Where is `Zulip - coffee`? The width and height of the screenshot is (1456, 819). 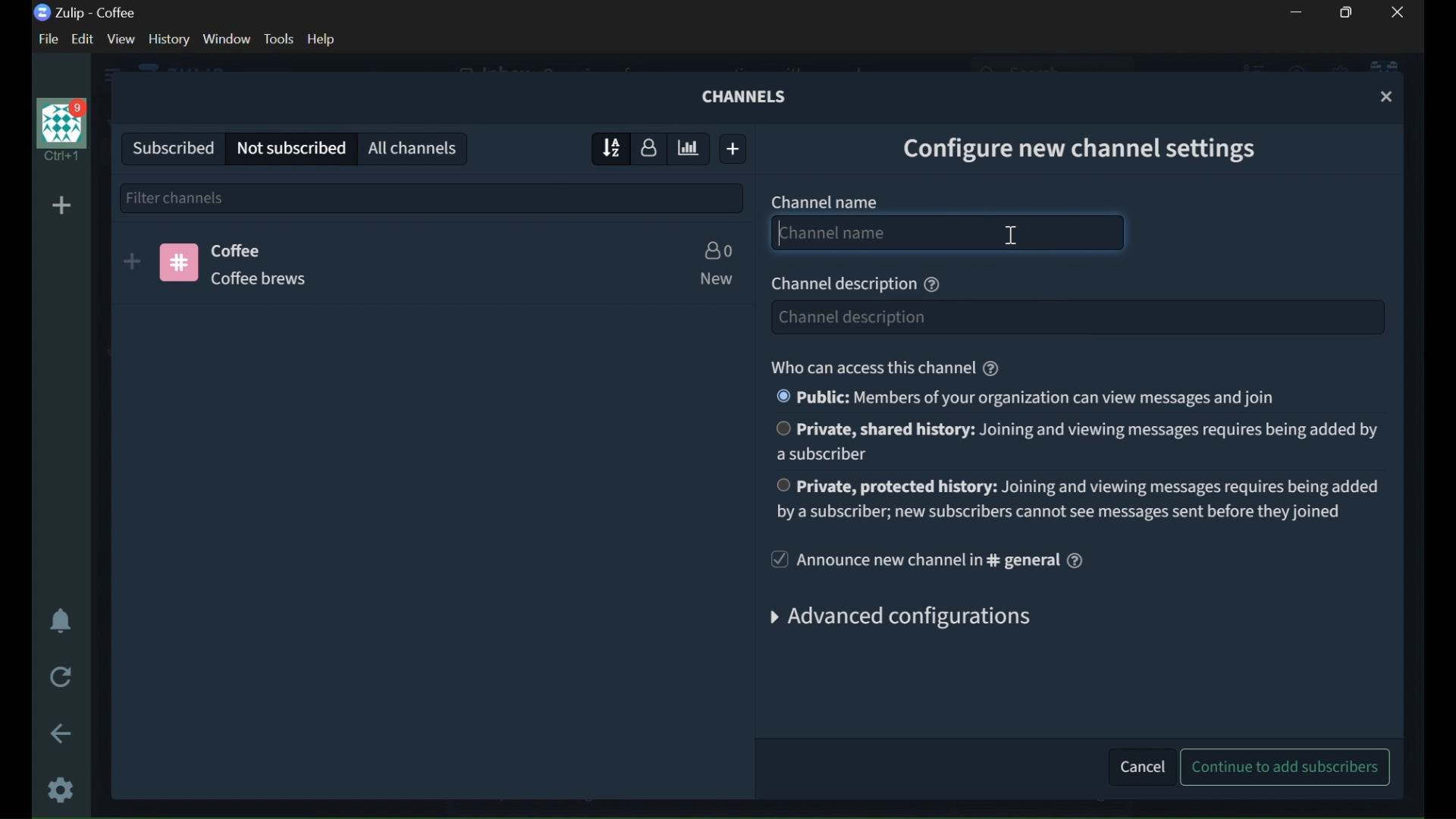 Zulip - coffee is located at coordinates (85, 13).